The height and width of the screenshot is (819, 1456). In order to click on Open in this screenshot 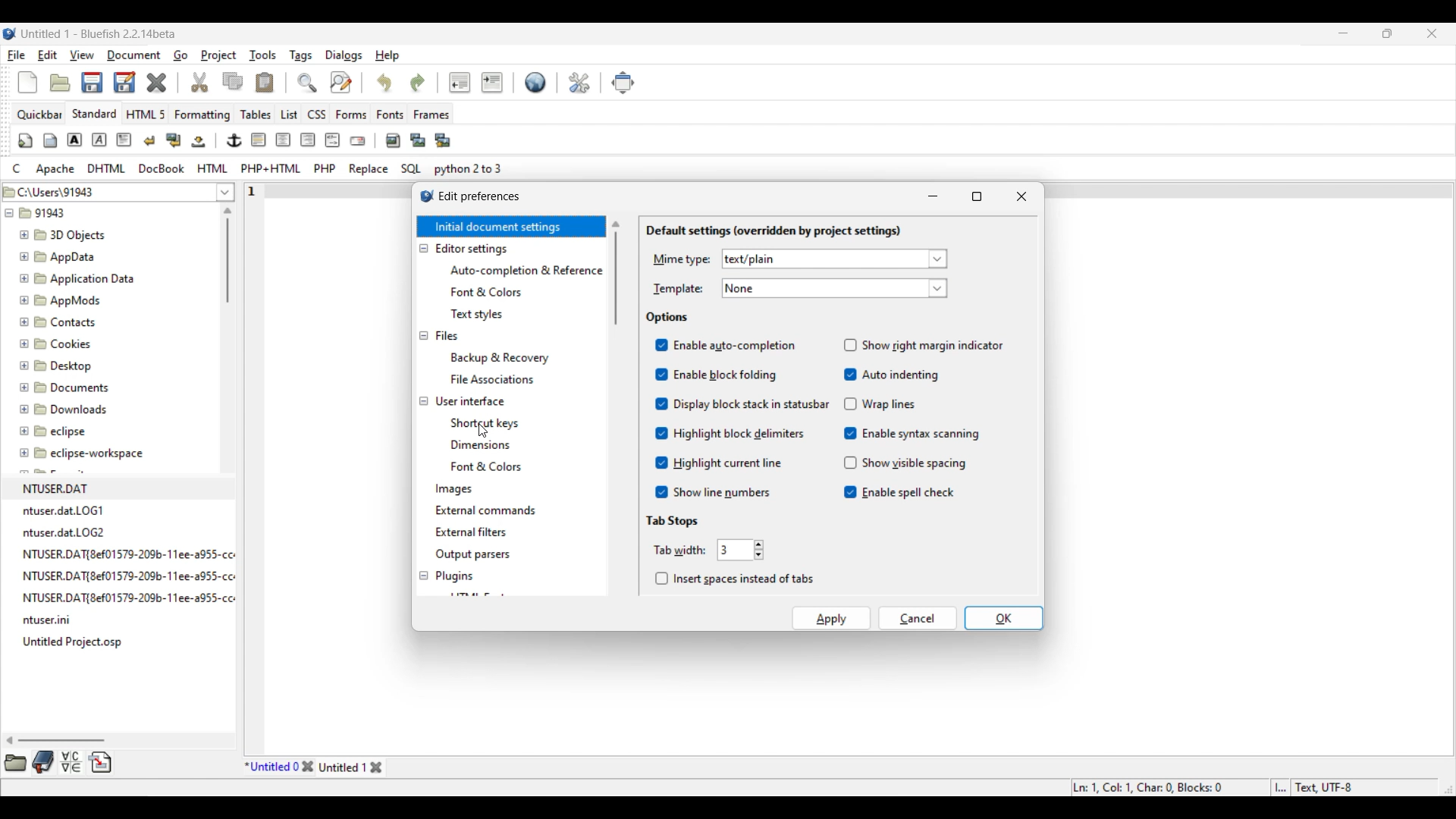, I will do `click(60, 83)`.